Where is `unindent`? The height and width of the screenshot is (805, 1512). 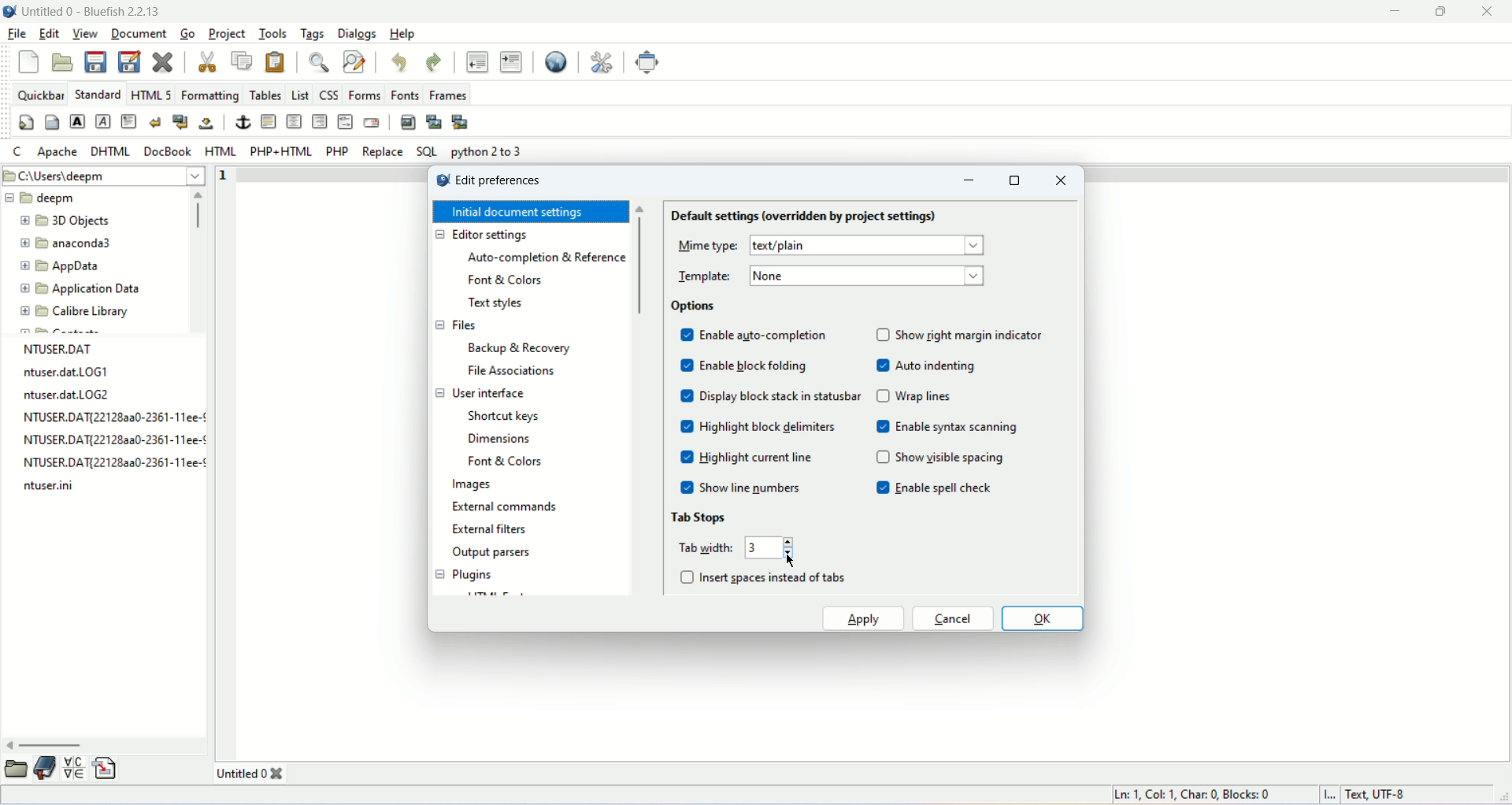 unindent is located at coordinates (476, 61).